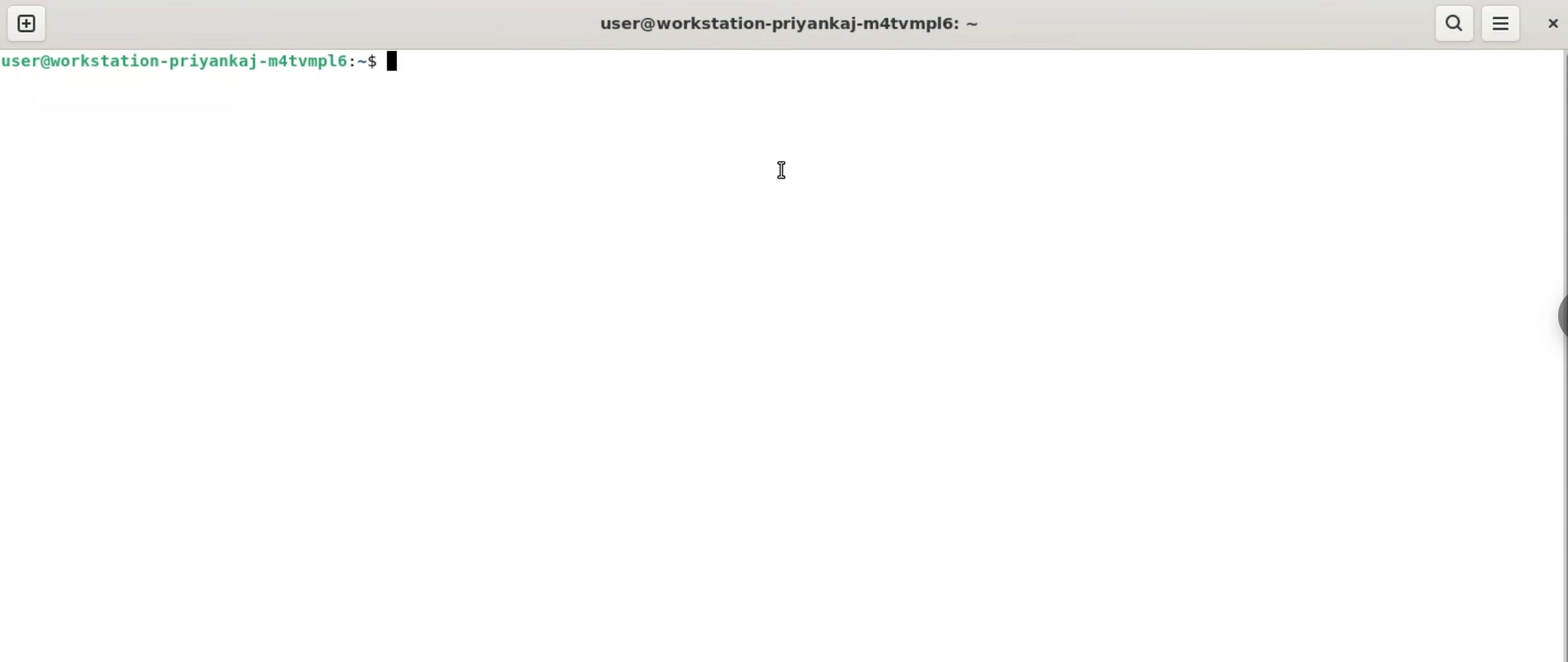 This screenshot has height=662, width=1568. What do you see at coordinates (789, 21) in the screenshot?
I see `user@workstation-priyankaj-m4tvmpl6: ~` at bounding box center [789, 21].